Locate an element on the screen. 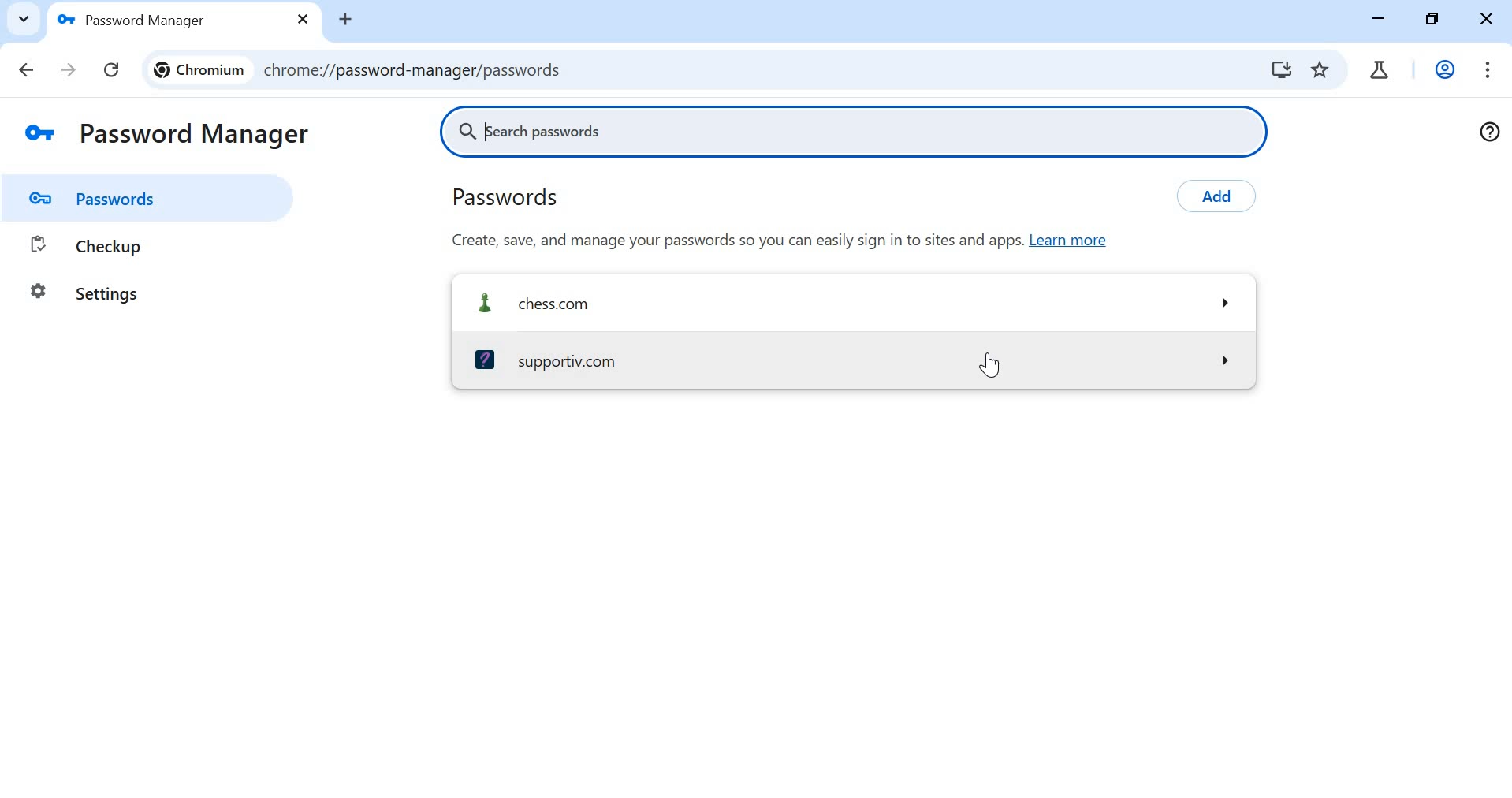  search tabs is located at coordinates (22, 17).